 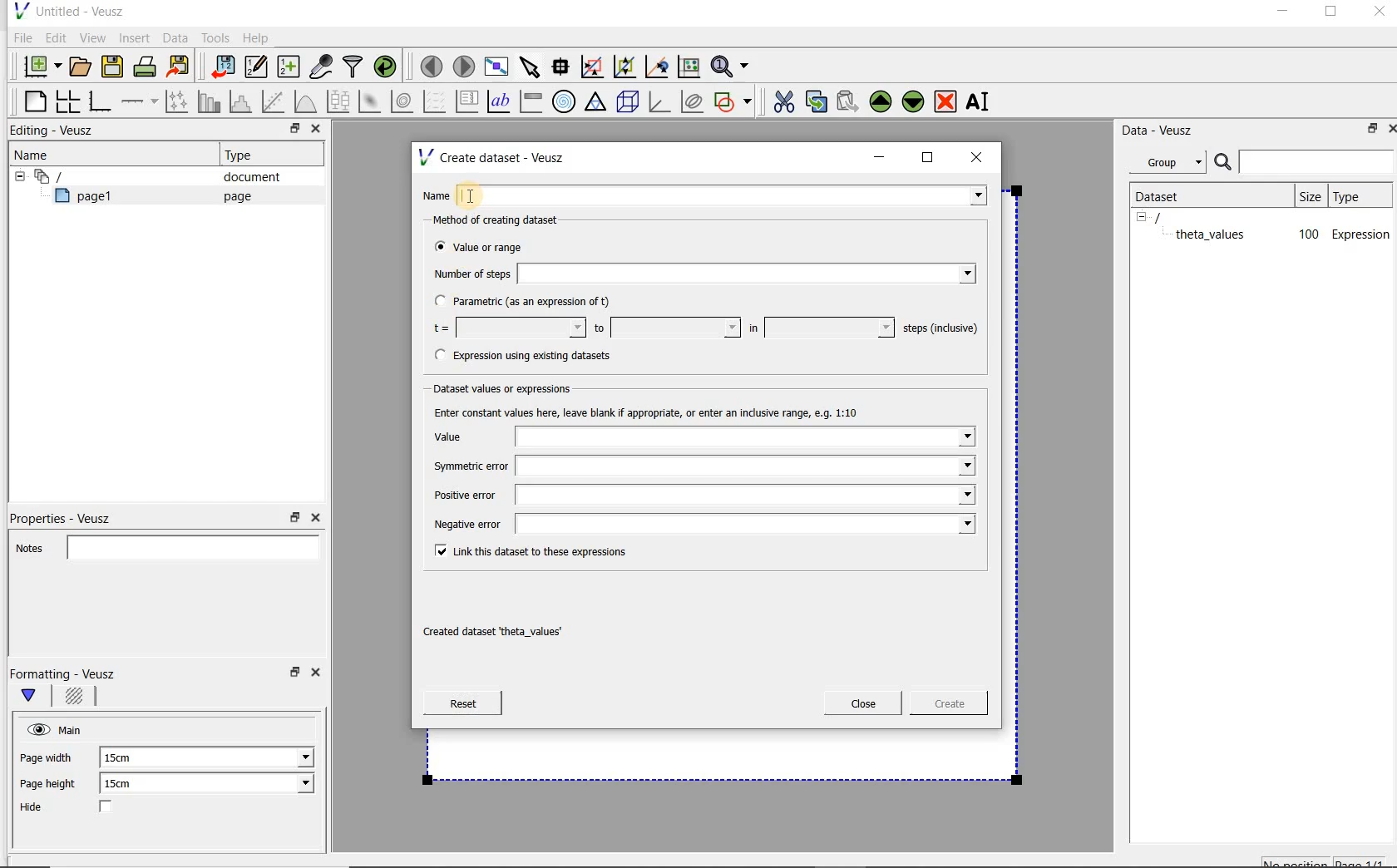 I want to click on Properties - Veusz, so click(x=69, y=515).